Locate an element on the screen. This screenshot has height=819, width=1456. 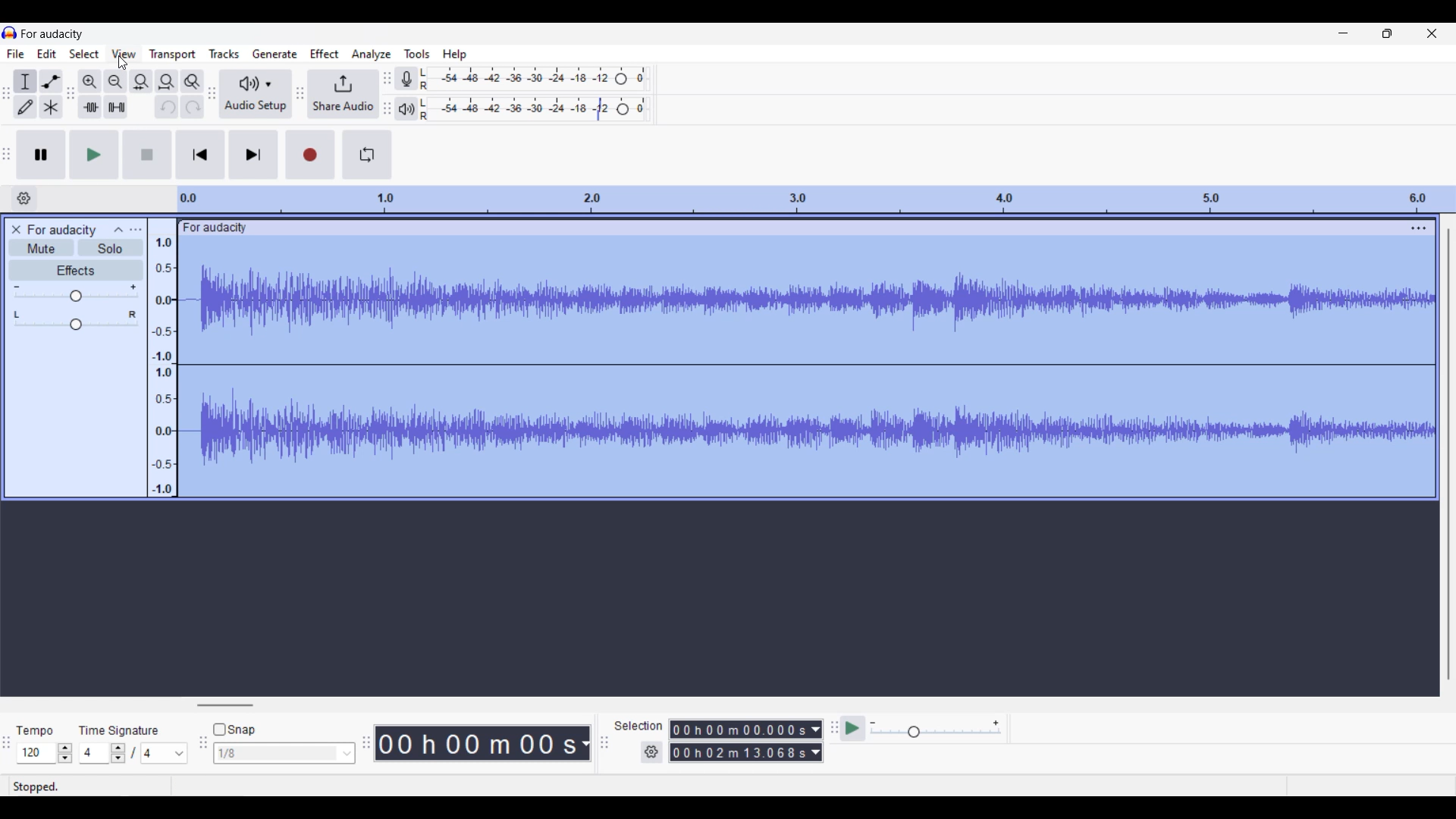
Selection settings is located at coordinates (652, 752).